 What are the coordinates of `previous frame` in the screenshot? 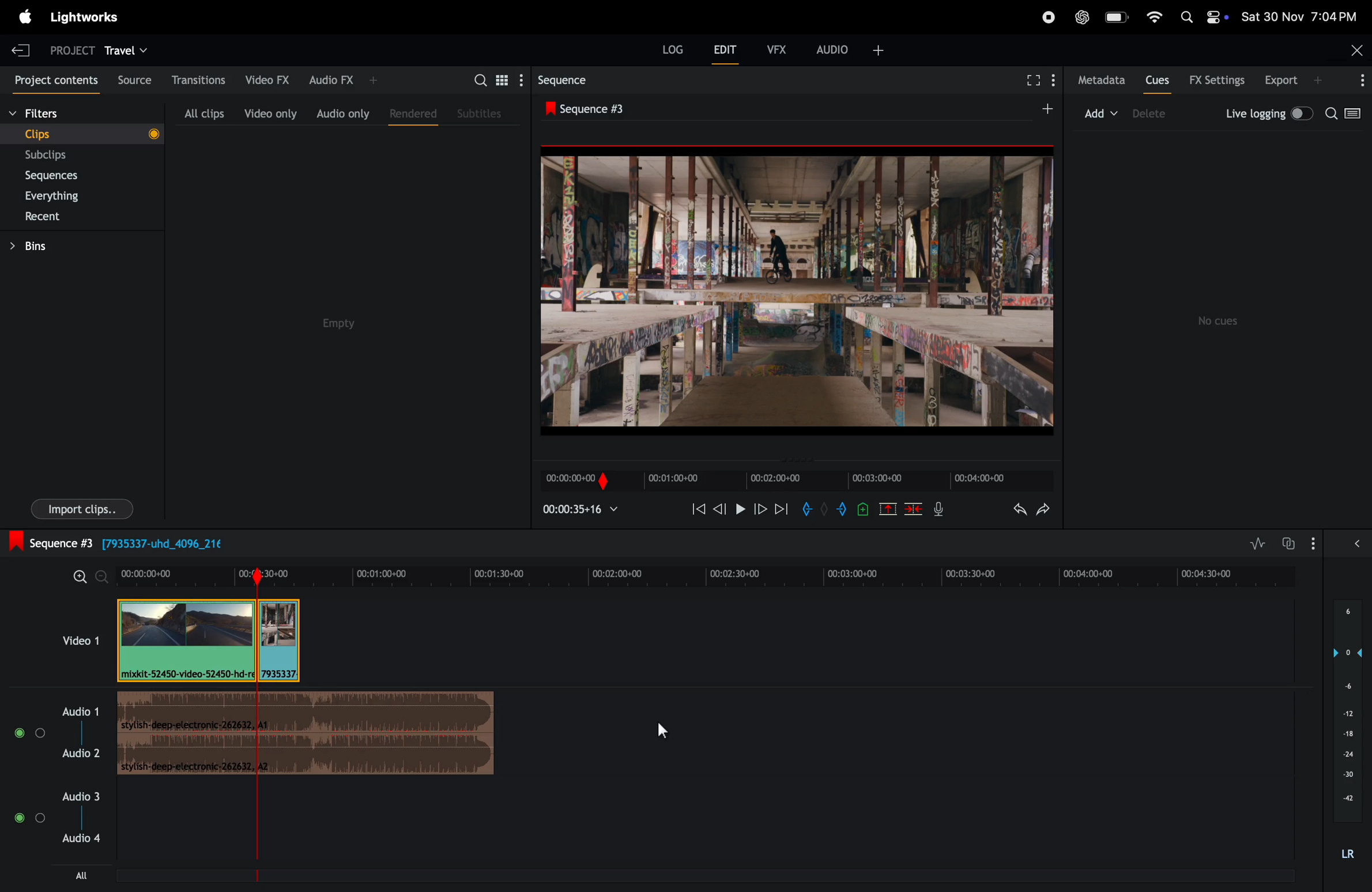 It's located at (718, 511).